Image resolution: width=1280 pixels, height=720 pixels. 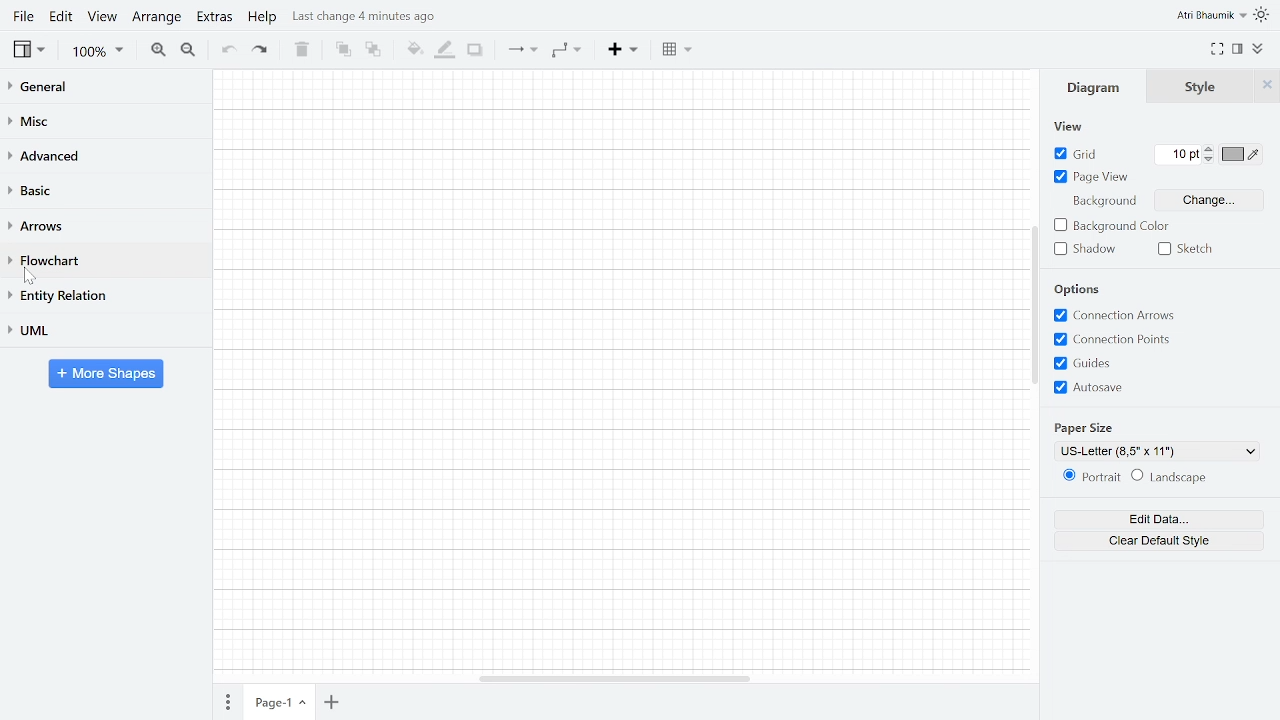 I want to click on Grid , so click(x=1079, y=153).